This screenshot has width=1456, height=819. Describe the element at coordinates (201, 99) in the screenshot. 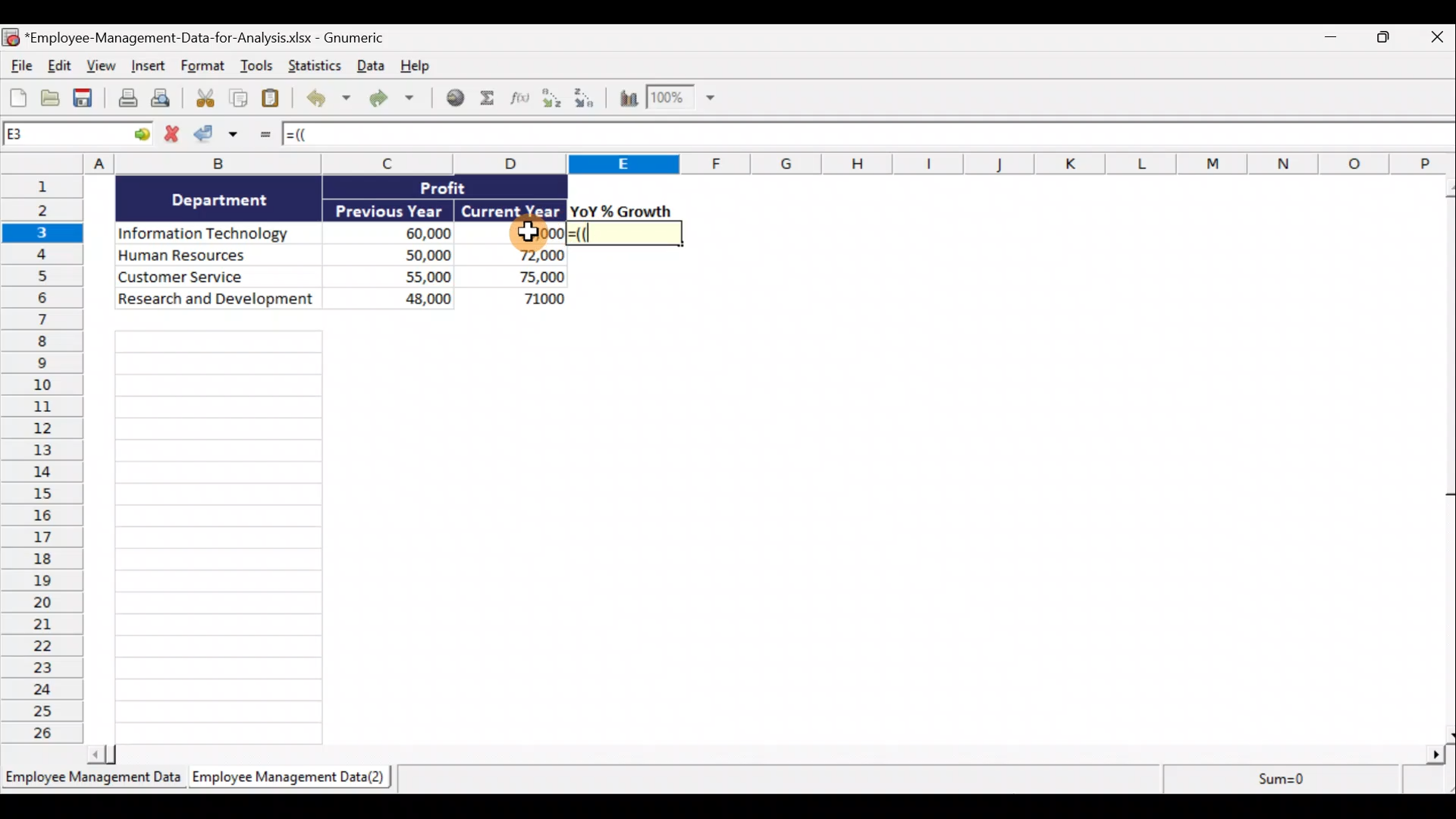

I see `Cut selection` at that location.